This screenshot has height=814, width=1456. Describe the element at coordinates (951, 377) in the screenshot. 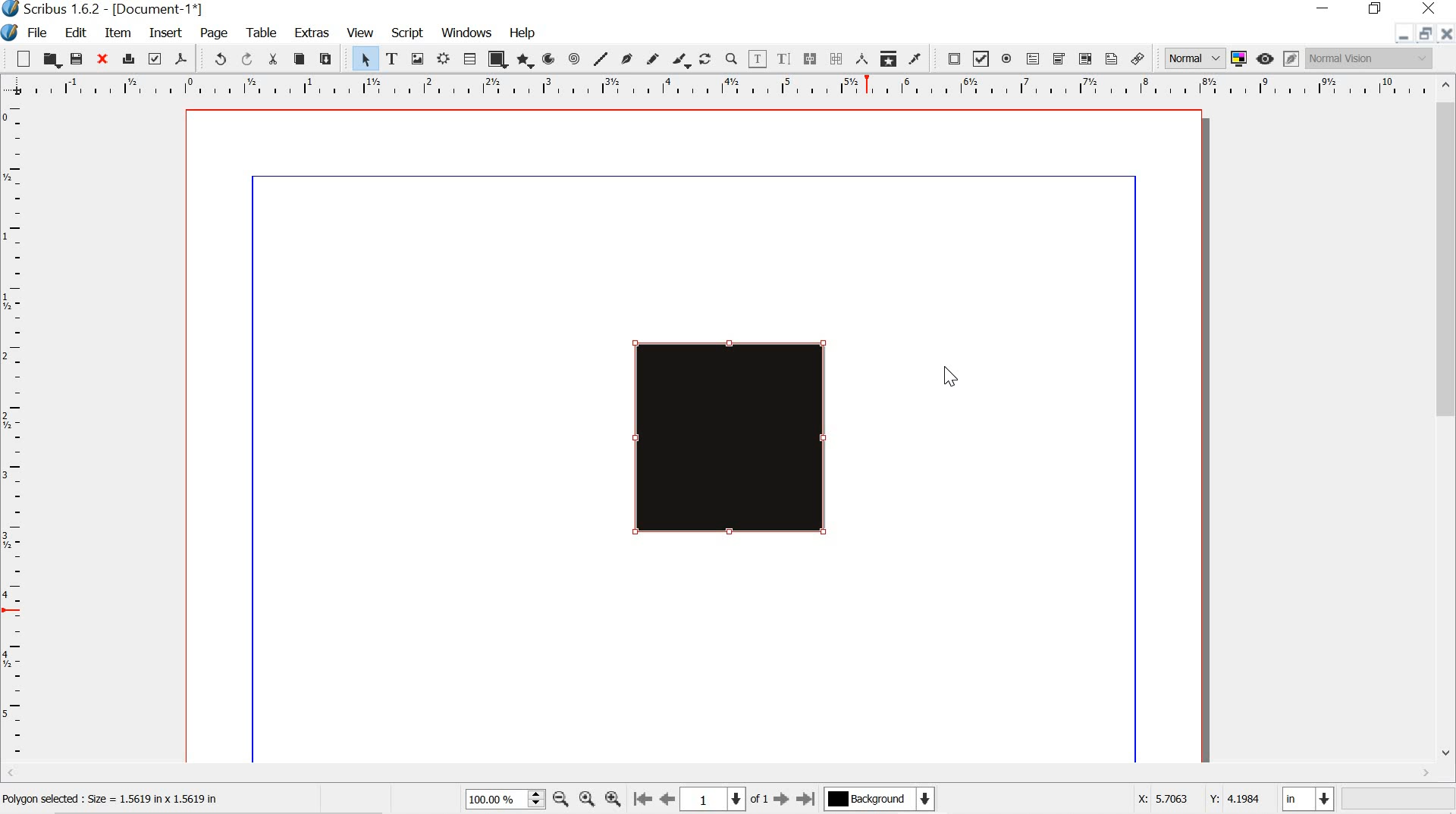

I see `cursor` at that location.